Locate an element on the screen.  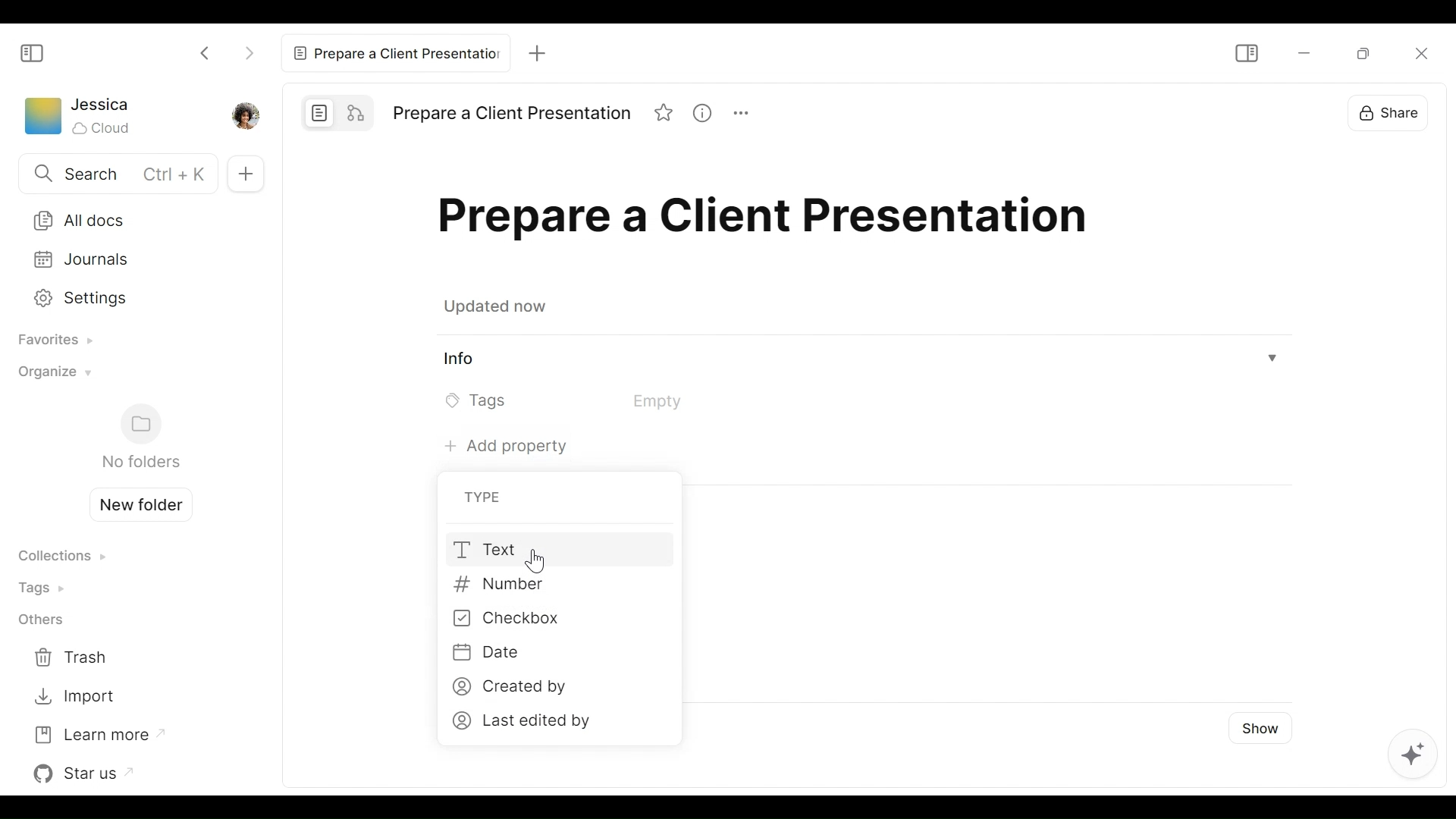
Share is located at coordinates (1395, 118).